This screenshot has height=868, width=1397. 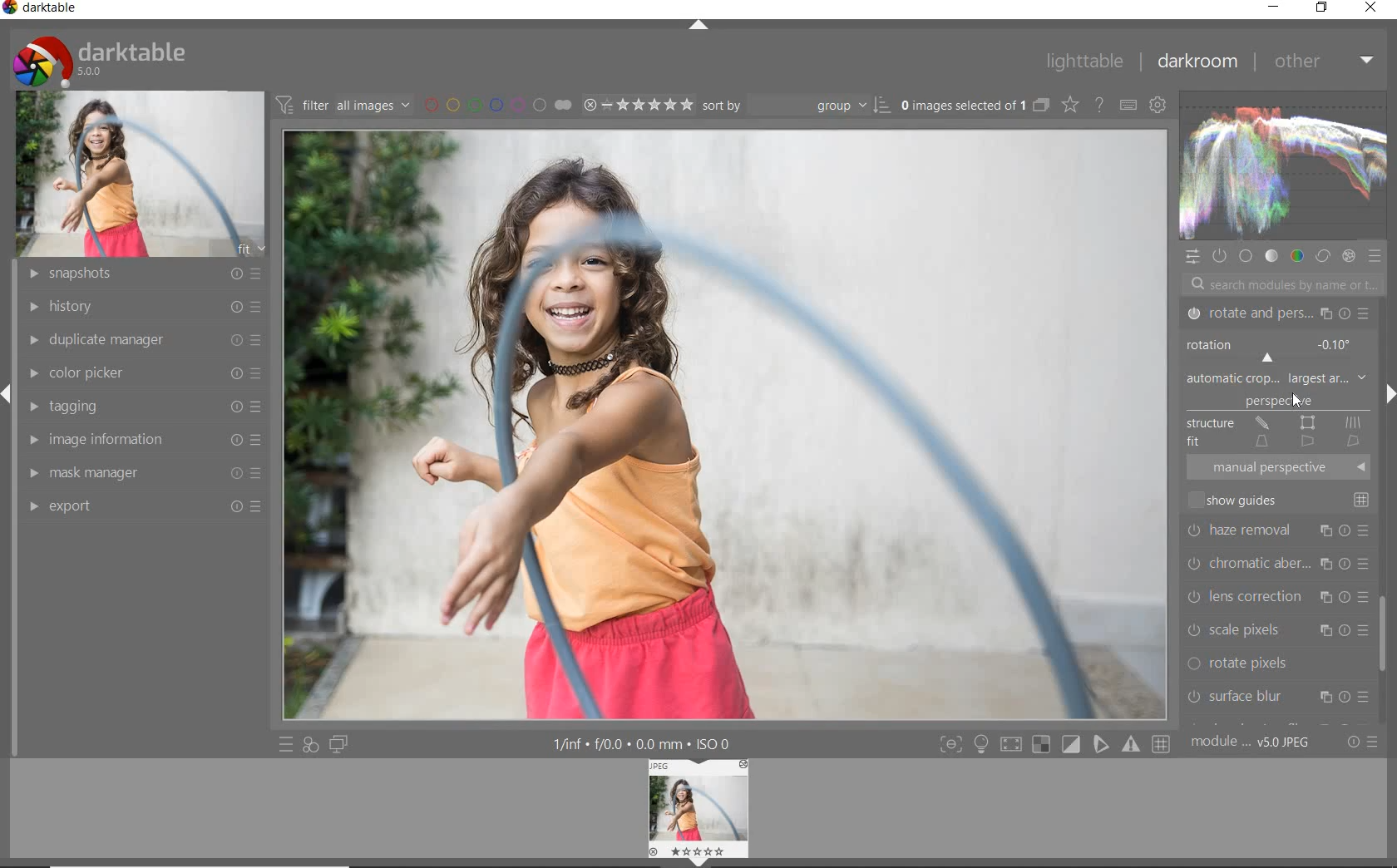 I want to click on tone, so click(x=1271, y=256).